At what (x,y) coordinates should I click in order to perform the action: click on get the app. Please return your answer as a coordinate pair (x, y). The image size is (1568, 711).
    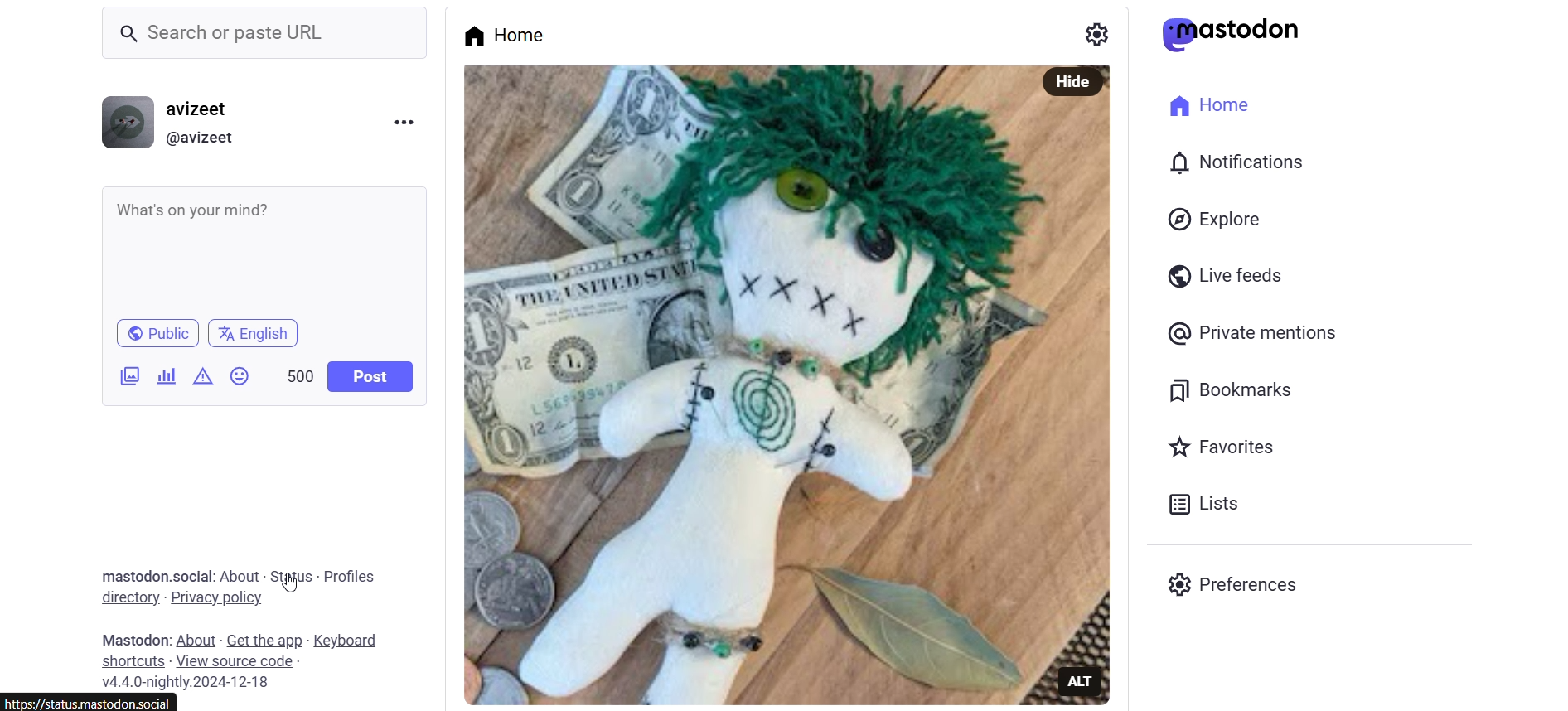
    Looking at the image, I should click on (262, 637).